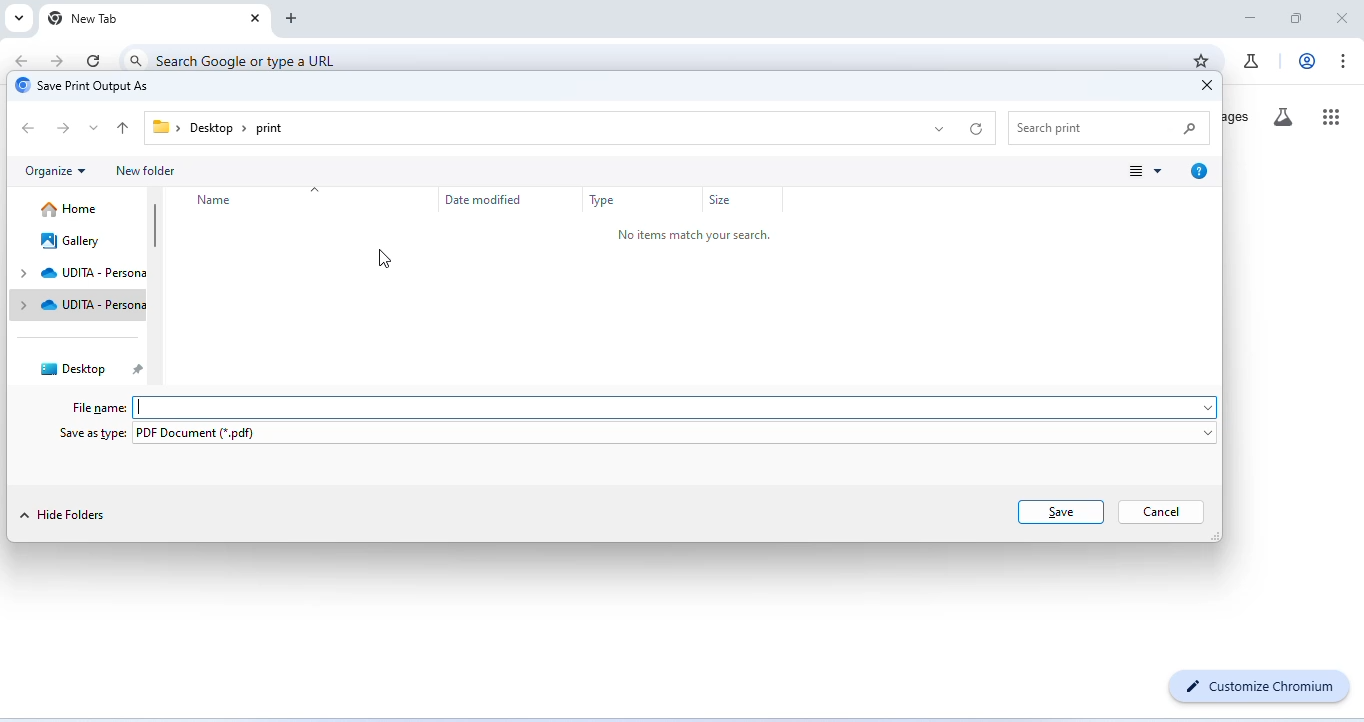 The image size is (1364, 722). Describe the element at coordinates (100, 130) in the screenshot. I see `drop down` at that location.